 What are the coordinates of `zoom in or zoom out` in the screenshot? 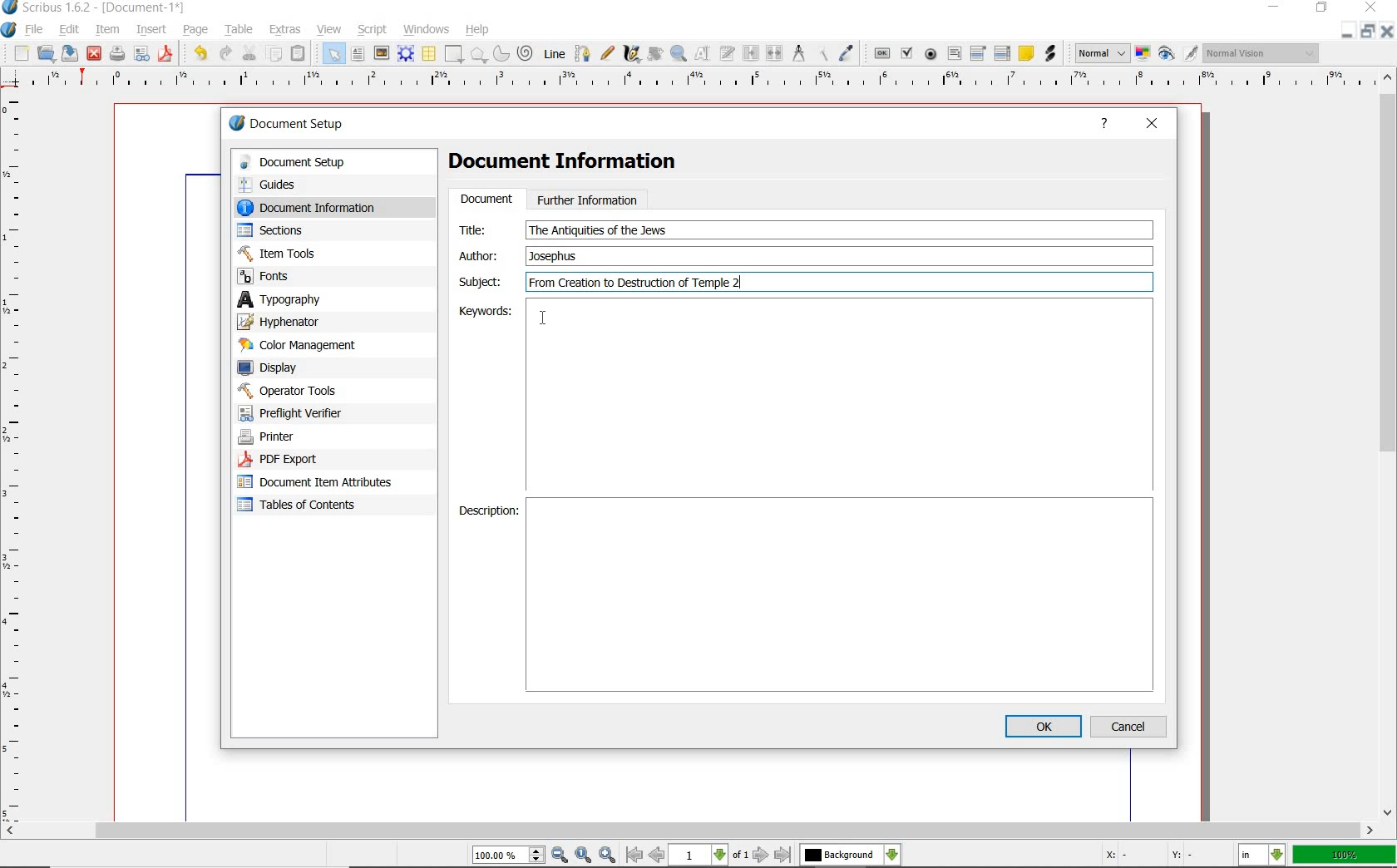 It's located at (679, 55).